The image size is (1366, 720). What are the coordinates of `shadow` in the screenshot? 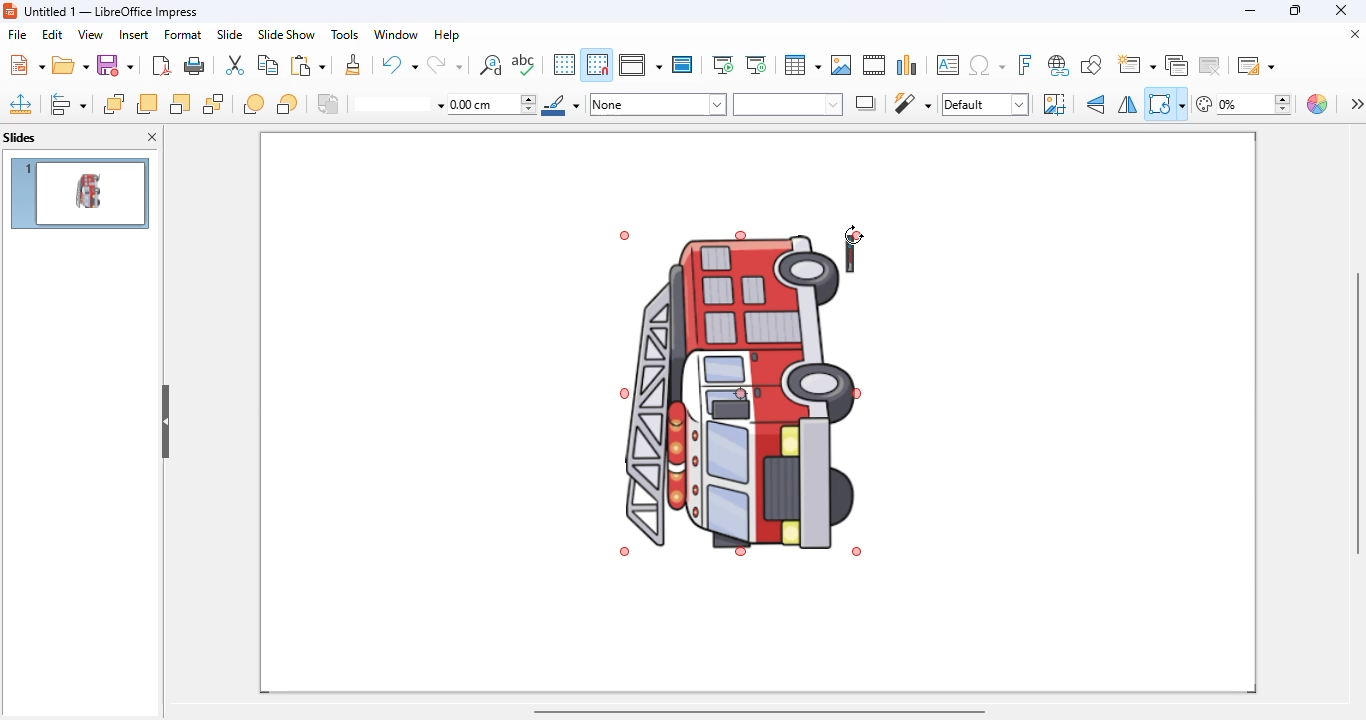 It's located at (867, 103).